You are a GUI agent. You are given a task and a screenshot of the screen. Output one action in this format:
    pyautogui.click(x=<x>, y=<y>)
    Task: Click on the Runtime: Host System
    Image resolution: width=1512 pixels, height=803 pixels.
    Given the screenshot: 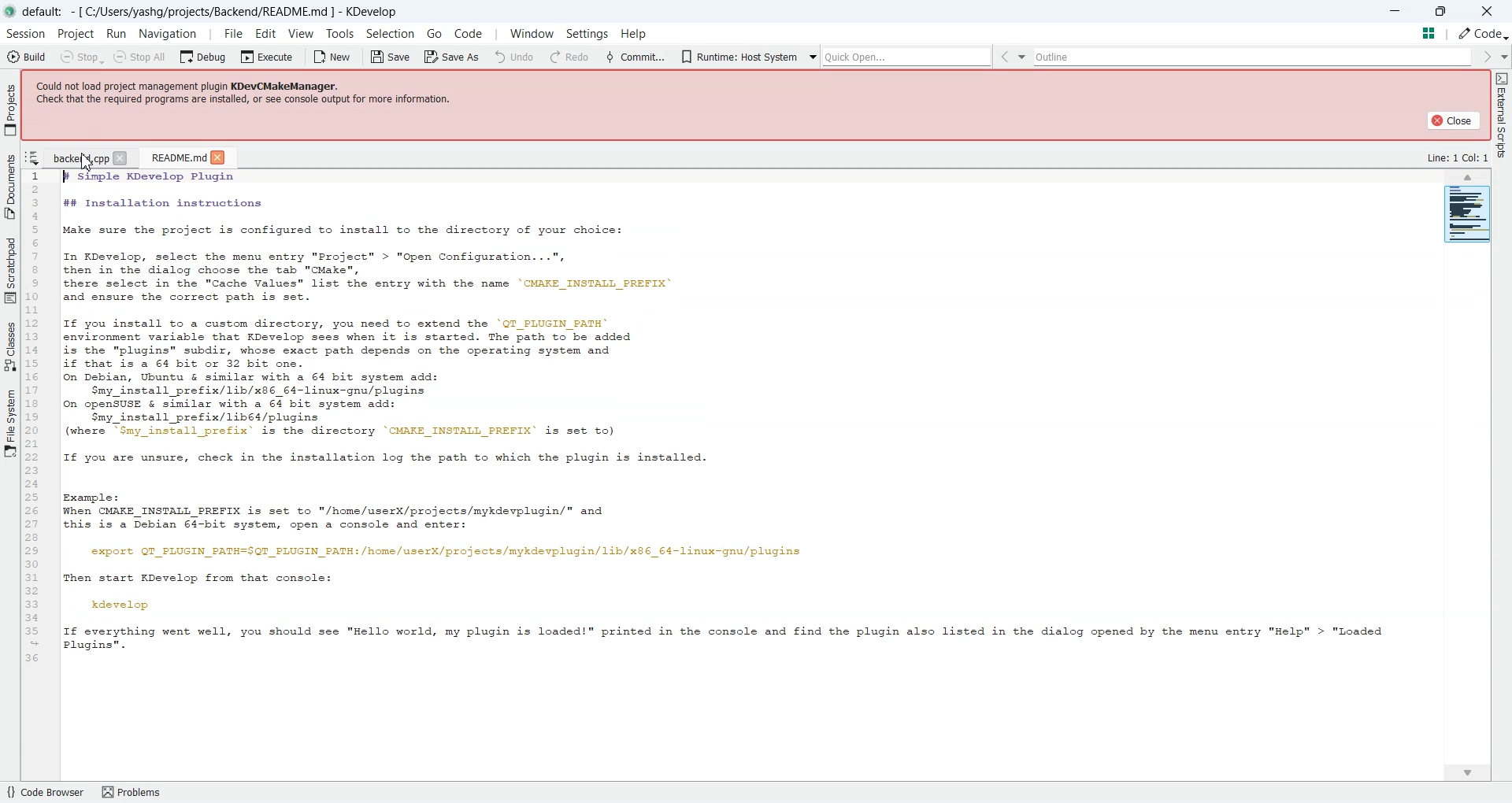 What is the action you would take?
    pyautogui.click(x=504, y=55)
    